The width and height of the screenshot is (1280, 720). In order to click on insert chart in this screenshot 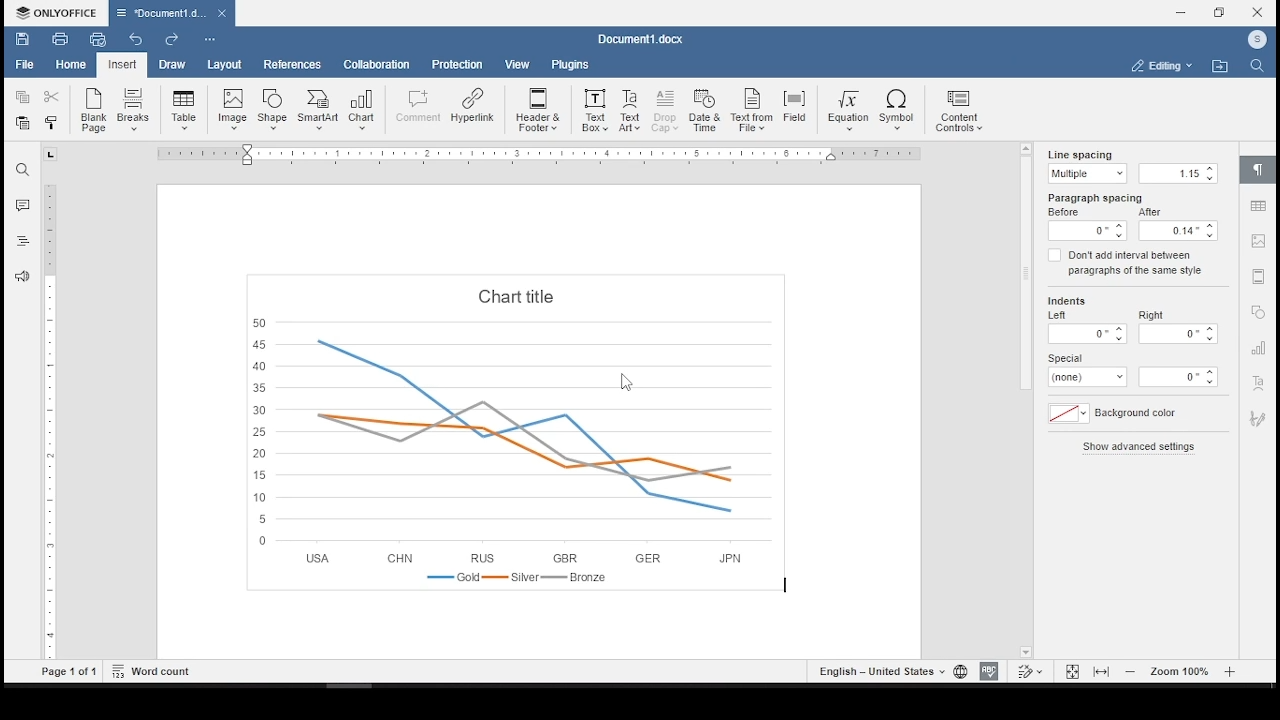, I will do `click(364, 110)`.